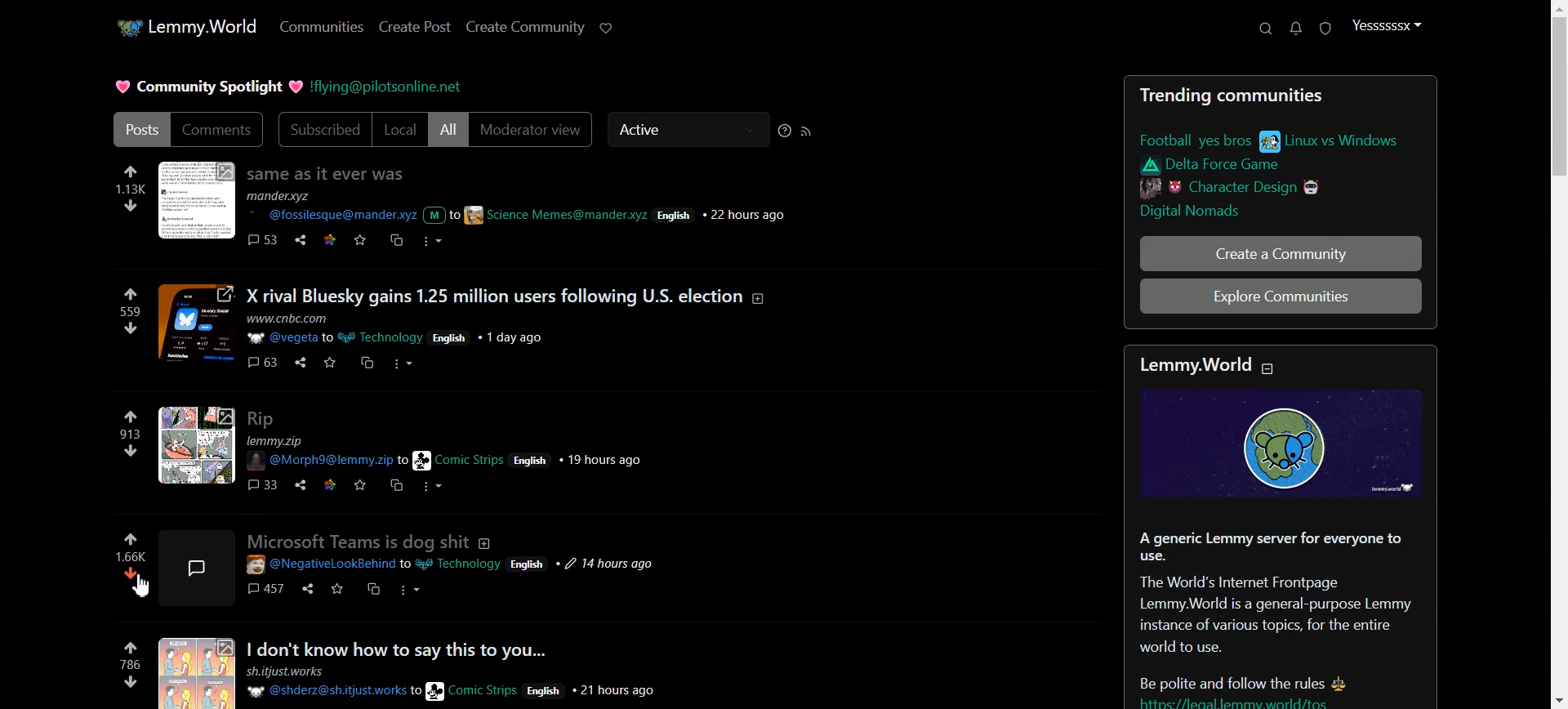 The image size is (1568, 709). I want to click on Create a Community, so click(1282, 253).